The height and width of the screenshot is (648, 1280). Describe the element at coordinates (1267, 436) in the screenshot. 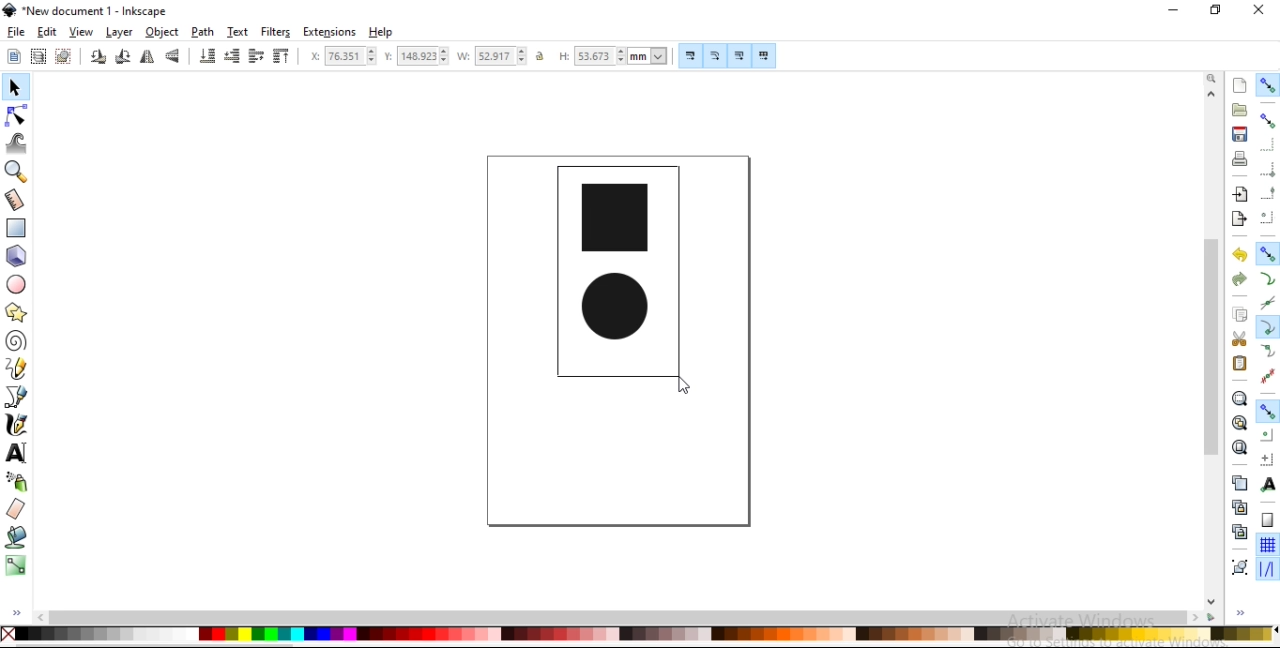

I see `snap centers of objects` at that location.